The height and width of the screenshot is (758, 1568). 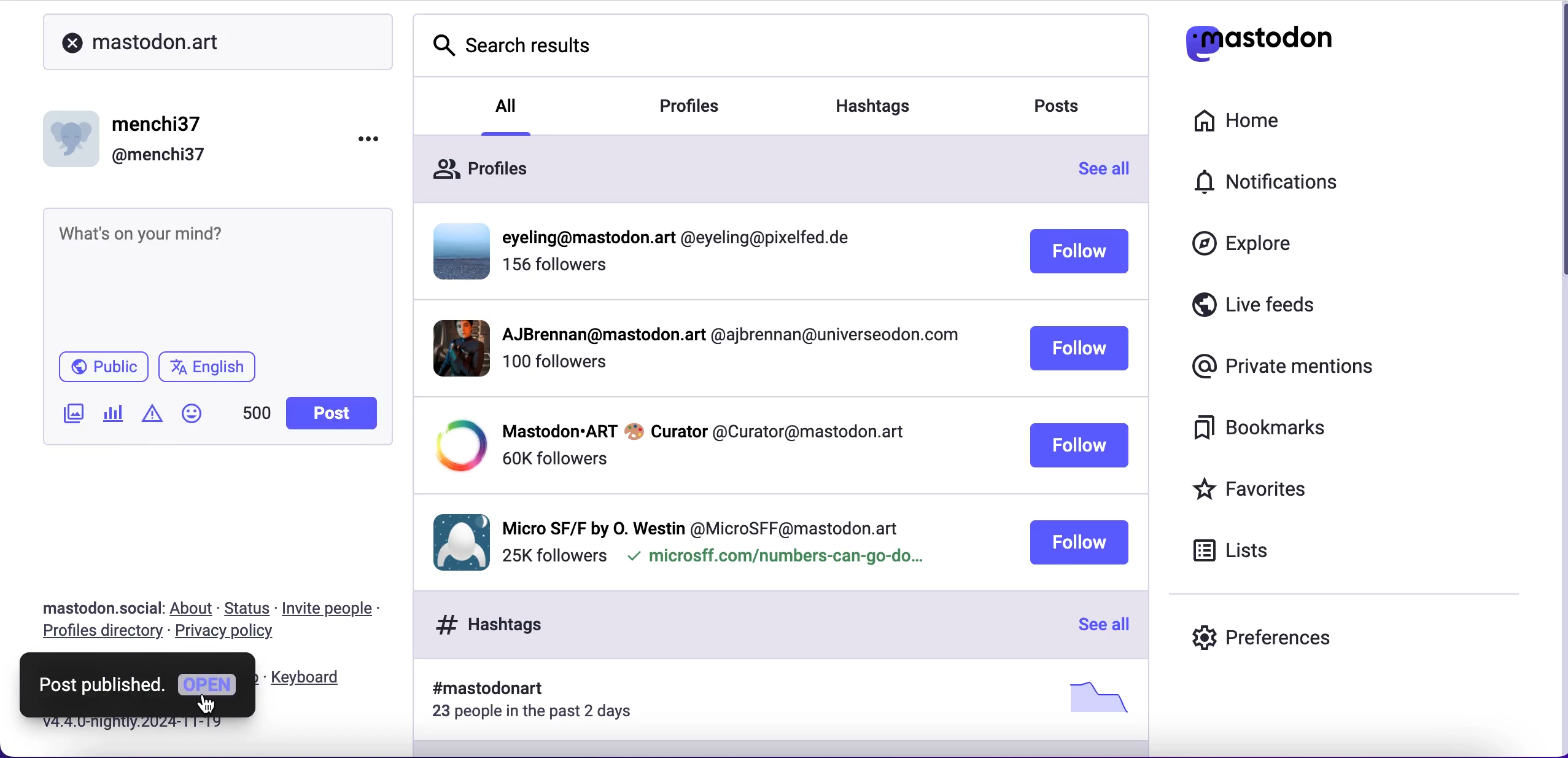 What do you see at coordinates (209, 369) in the screenshot?
I see `english` at bounding box center [209, 369].